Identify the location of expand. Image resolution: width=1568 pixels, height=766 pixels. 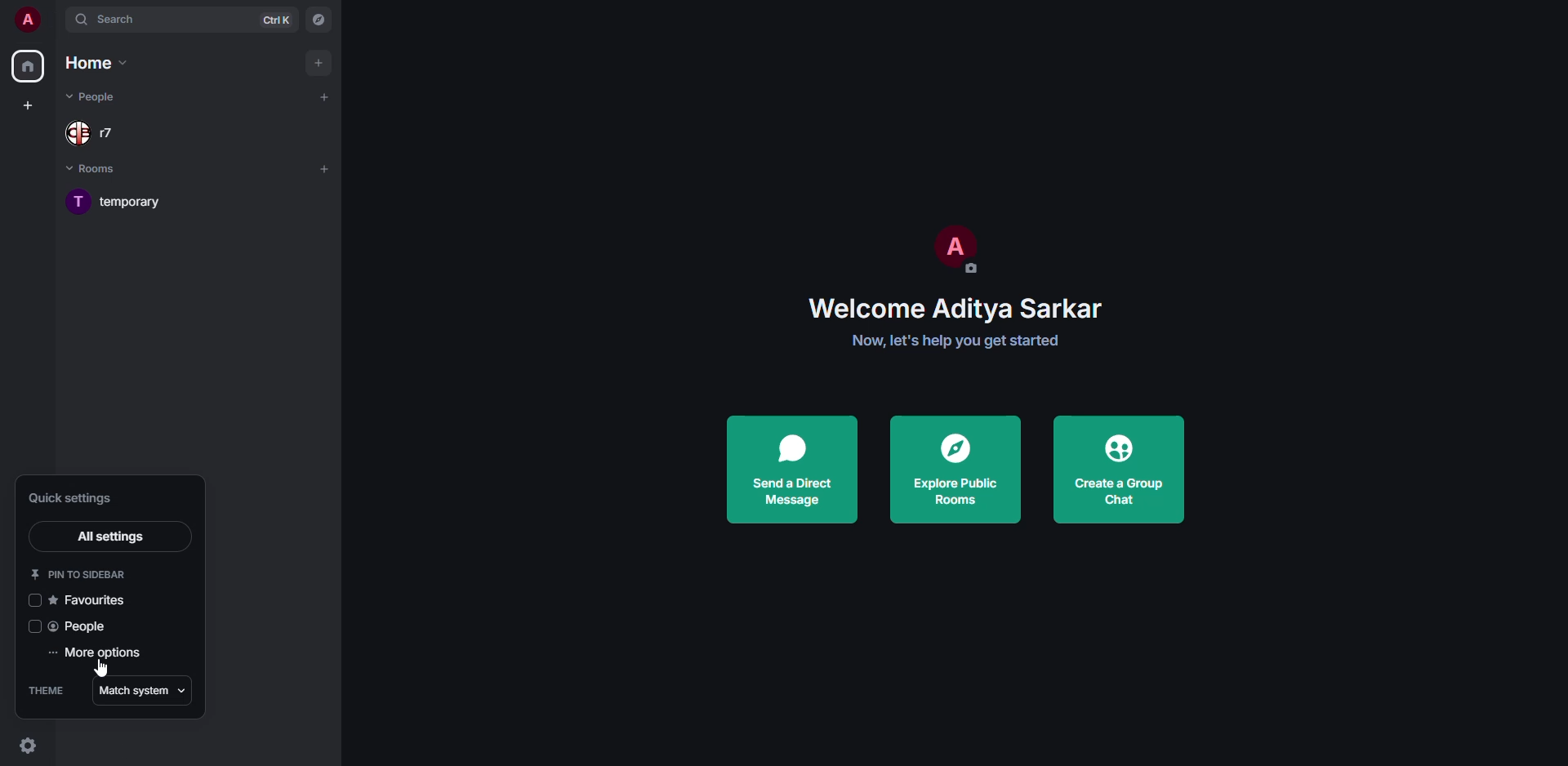
(56, 20).